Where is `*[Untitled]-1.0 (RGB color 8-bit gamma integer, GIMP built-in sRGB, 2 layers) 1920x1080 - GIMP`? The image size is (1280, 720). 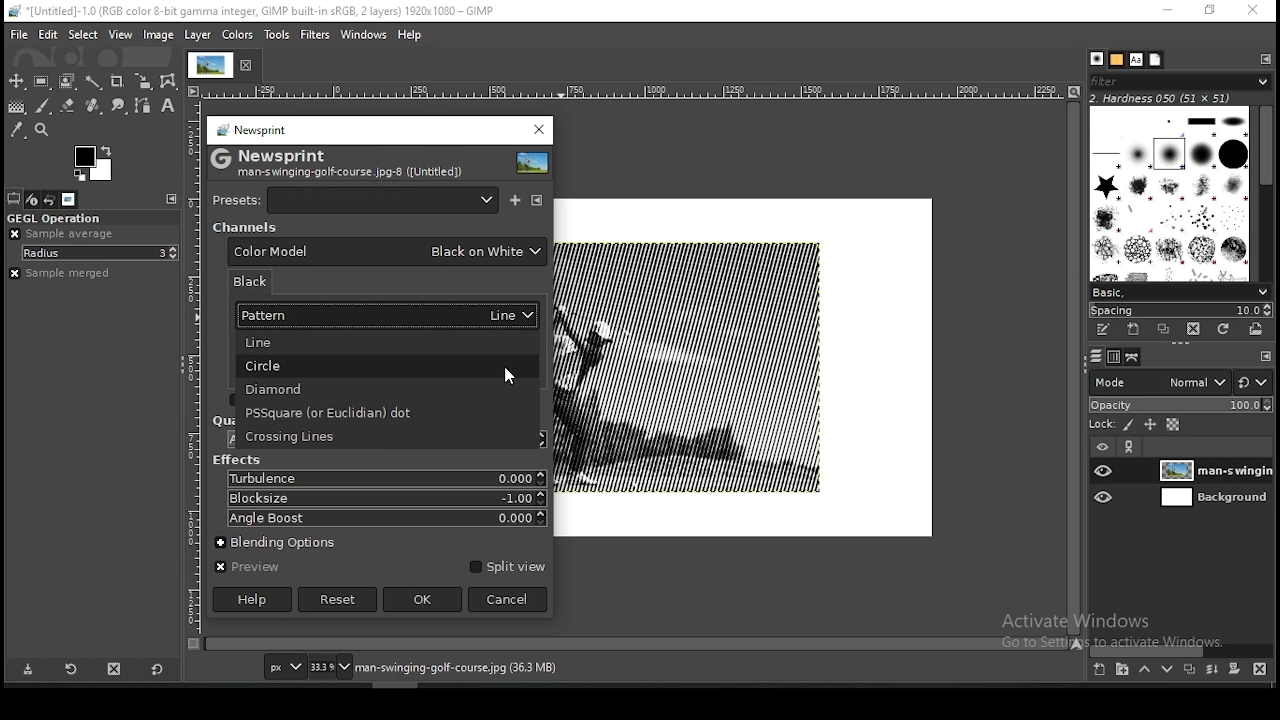 *[Untitled]-1.0 (RGB color 8-bit gamma integer, GIMP built-in sRGB, 2 layers) 1920x1080 - GIMP is located at coordinates (268, 11).